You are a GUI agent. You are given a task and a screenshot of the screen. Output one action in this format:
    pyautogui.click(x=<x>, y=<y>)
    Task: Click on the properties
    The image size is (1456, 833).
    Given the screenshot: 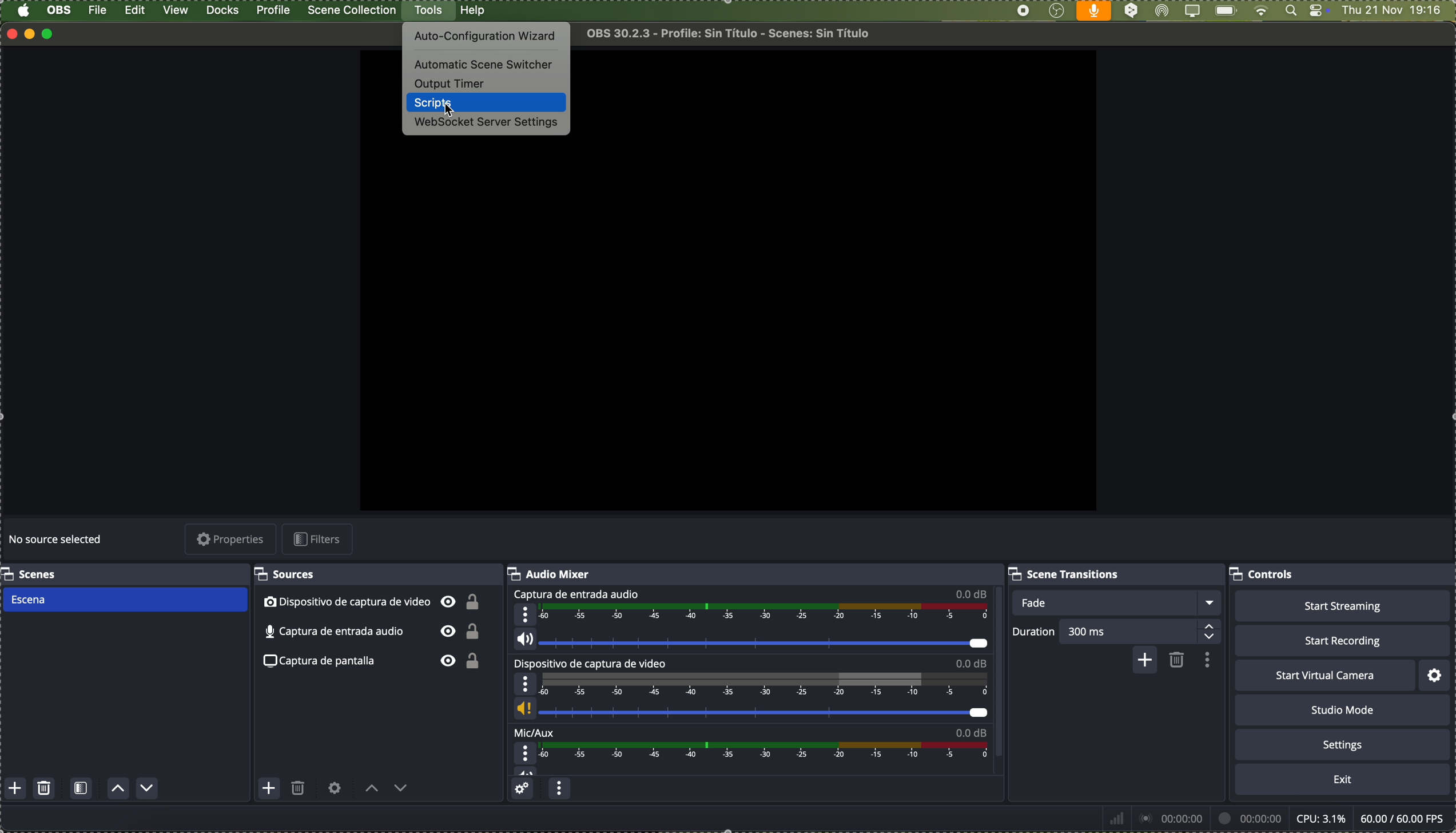 What is the action you would take?
    pyautogui.click(x=232, y=540)
    